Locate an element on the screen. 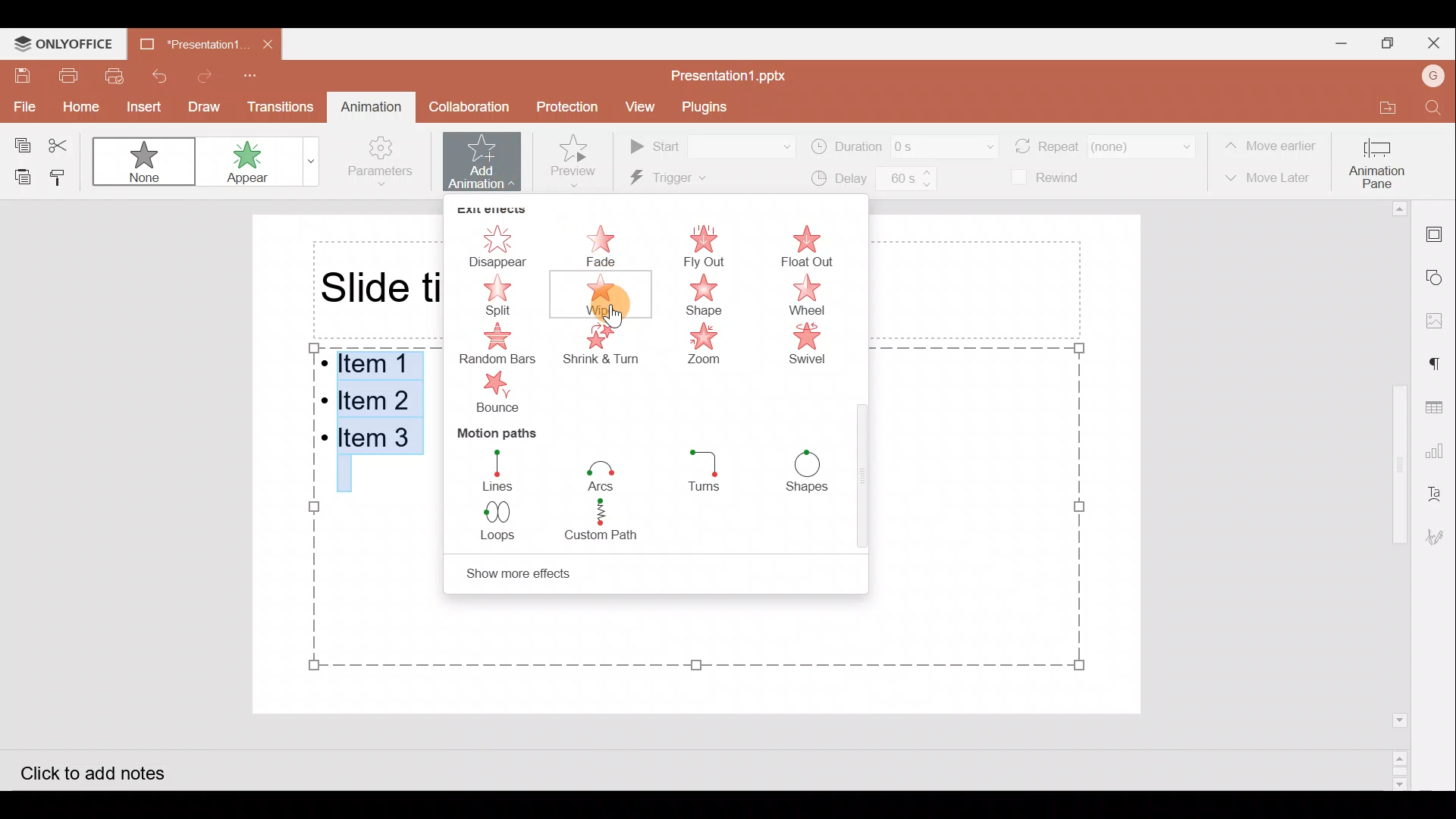  Move earlier is located at coordinates (1271, 142).